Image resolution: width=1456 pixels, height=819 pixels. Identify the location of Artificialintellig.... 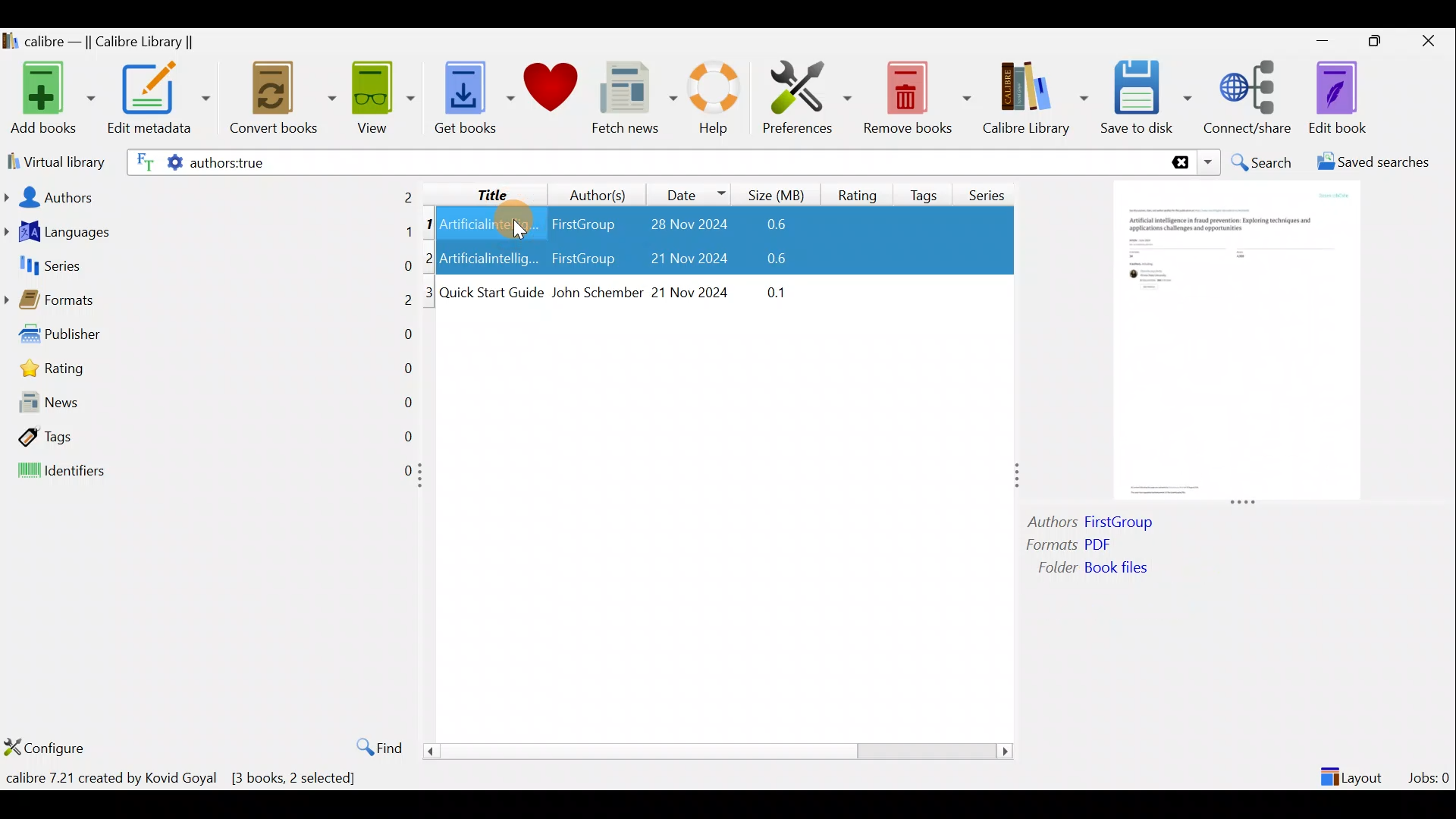
(491, 223).